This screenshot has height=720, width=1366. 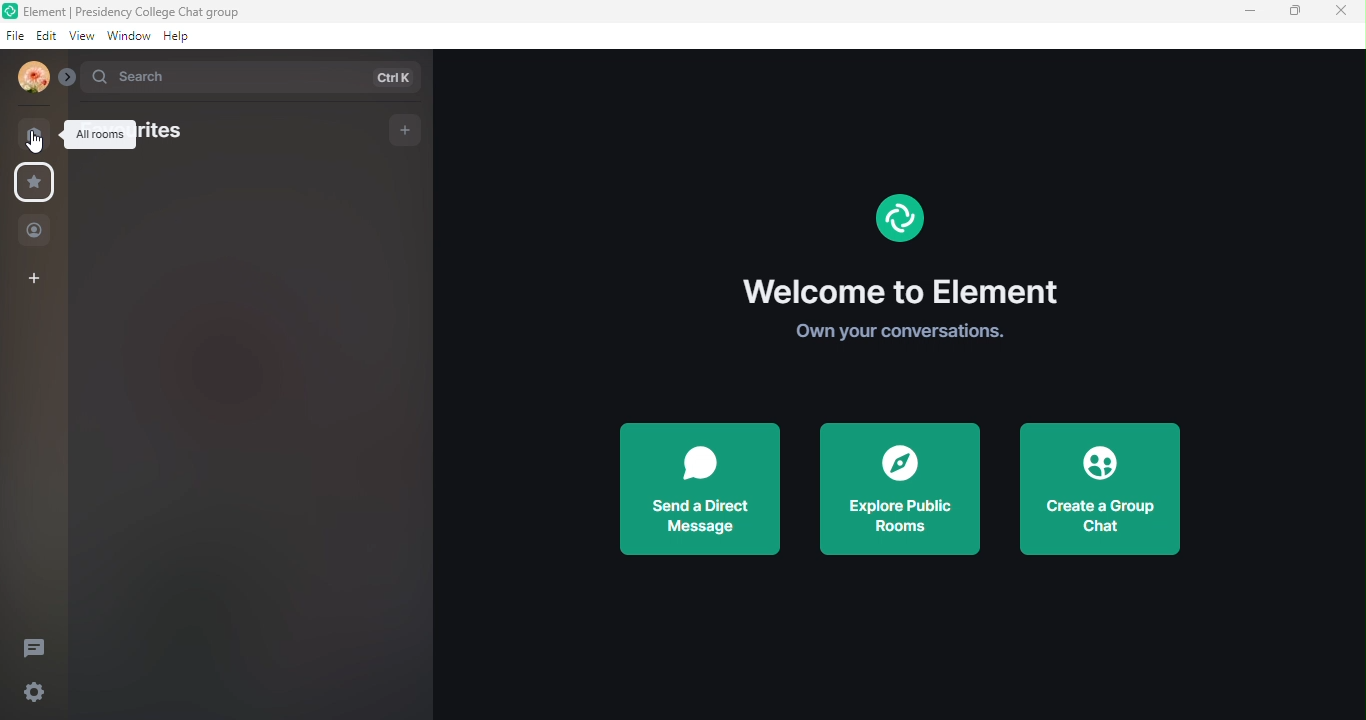 I want to click on threads, so click(x=41, y=646).